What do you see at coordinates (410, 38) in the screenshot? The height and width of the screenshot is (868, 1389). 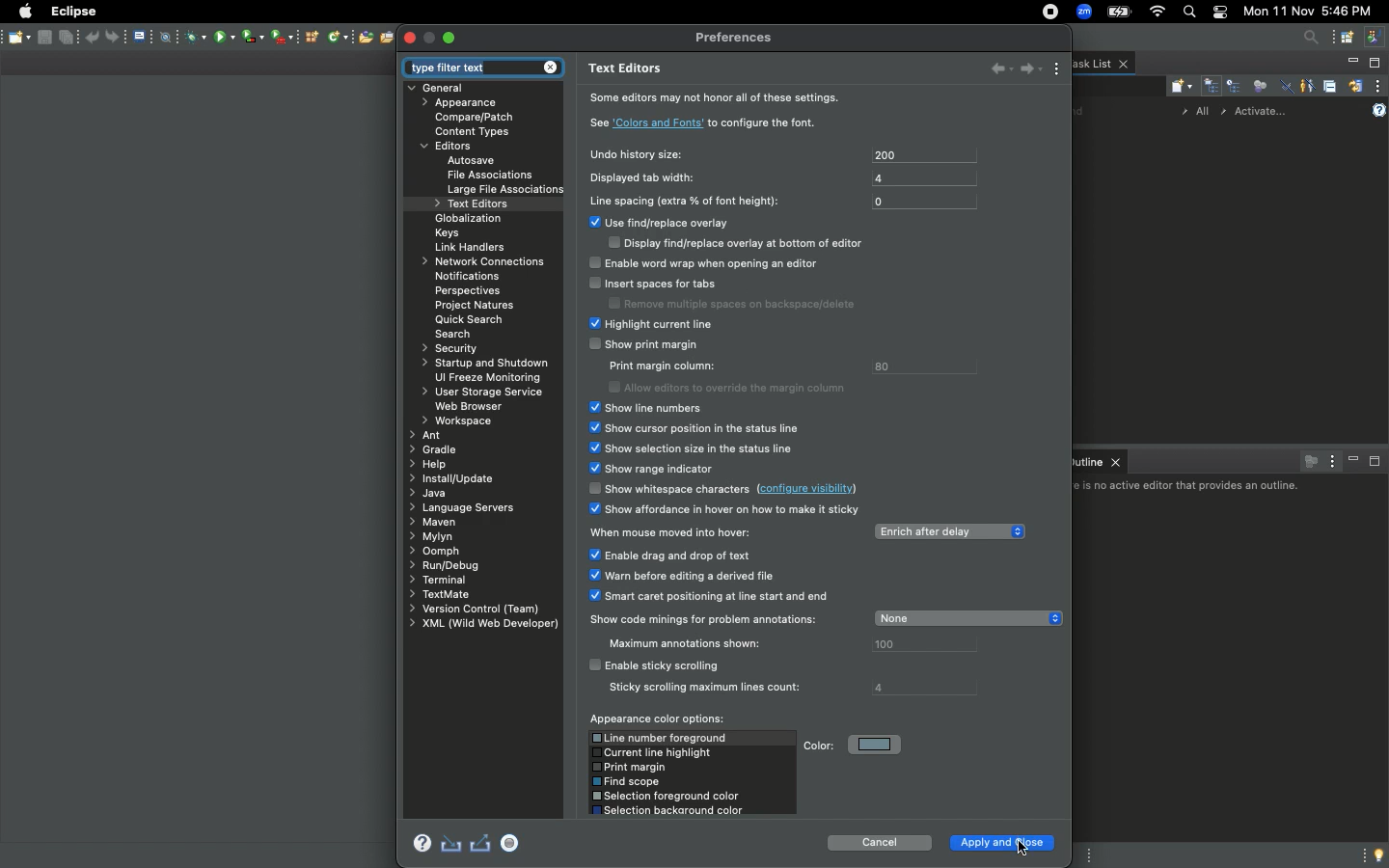 I see `Close` at bounding box center [410, 38].